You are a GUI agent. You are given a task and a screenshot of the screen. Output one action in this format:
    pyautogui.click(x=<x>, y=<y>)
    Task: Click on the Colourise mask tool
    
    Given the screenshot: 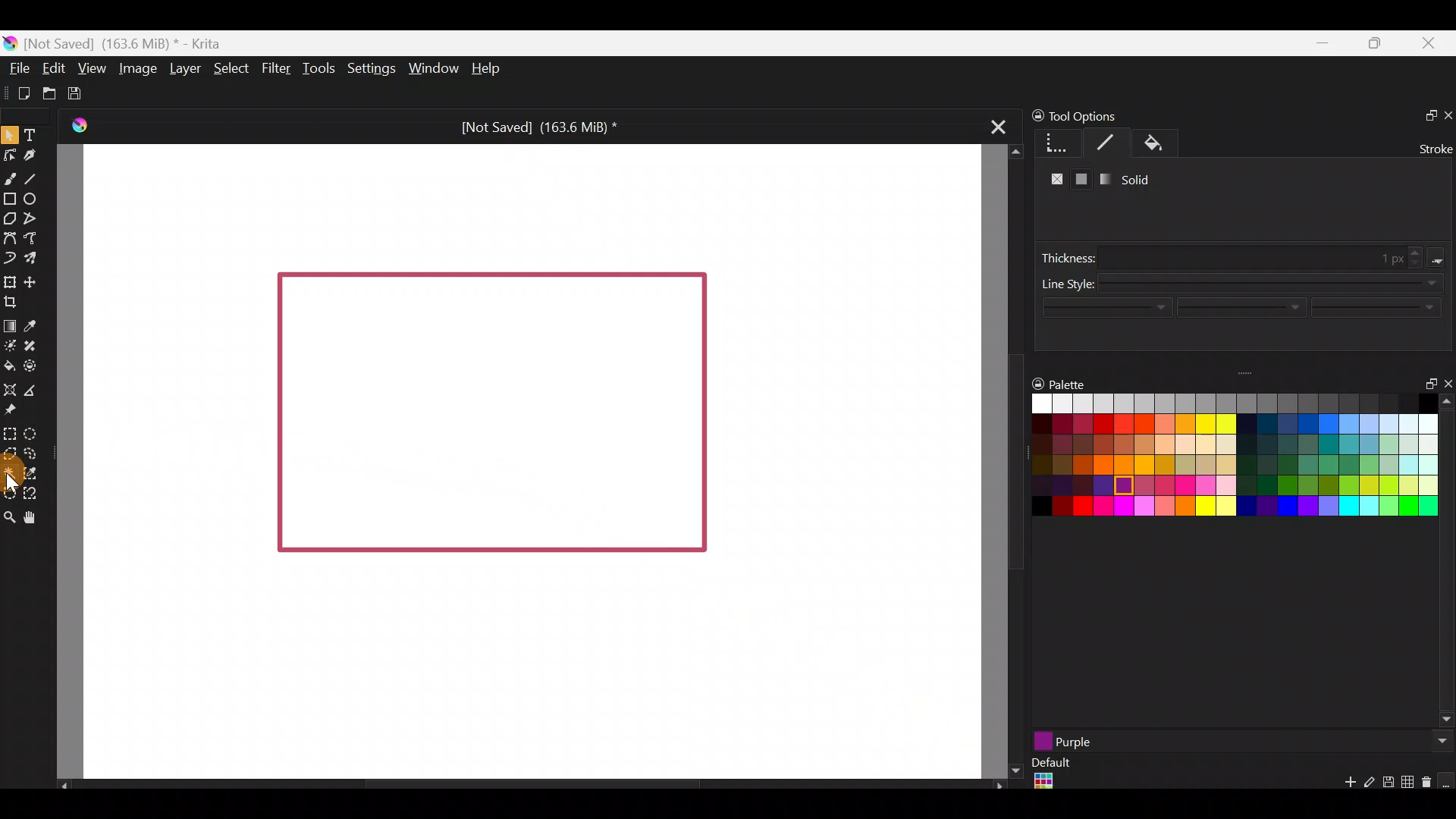 What is the action you would take?
    pyautogui.click(x=10, y=347)
    